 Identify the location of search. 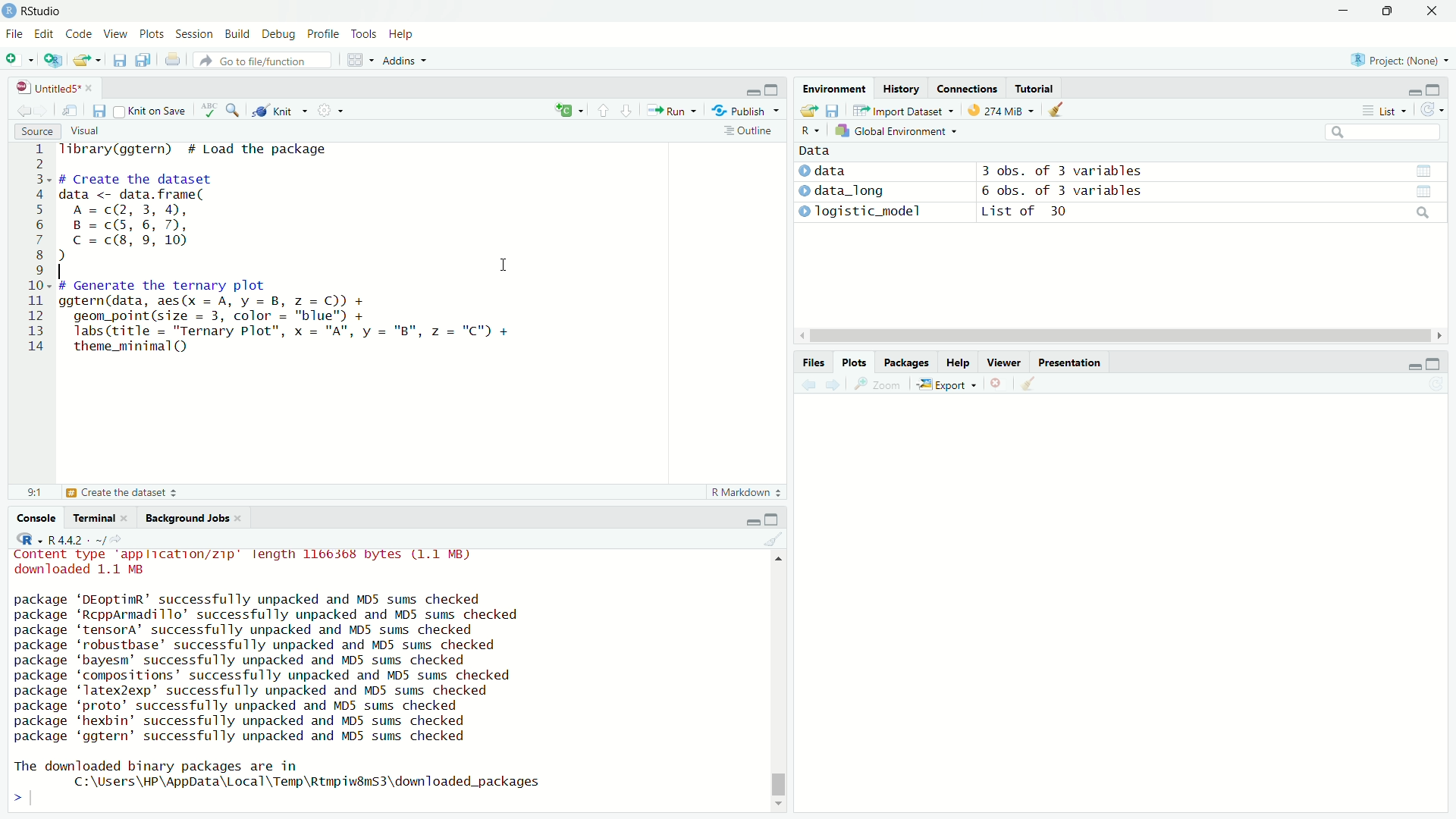
(1381, 133).